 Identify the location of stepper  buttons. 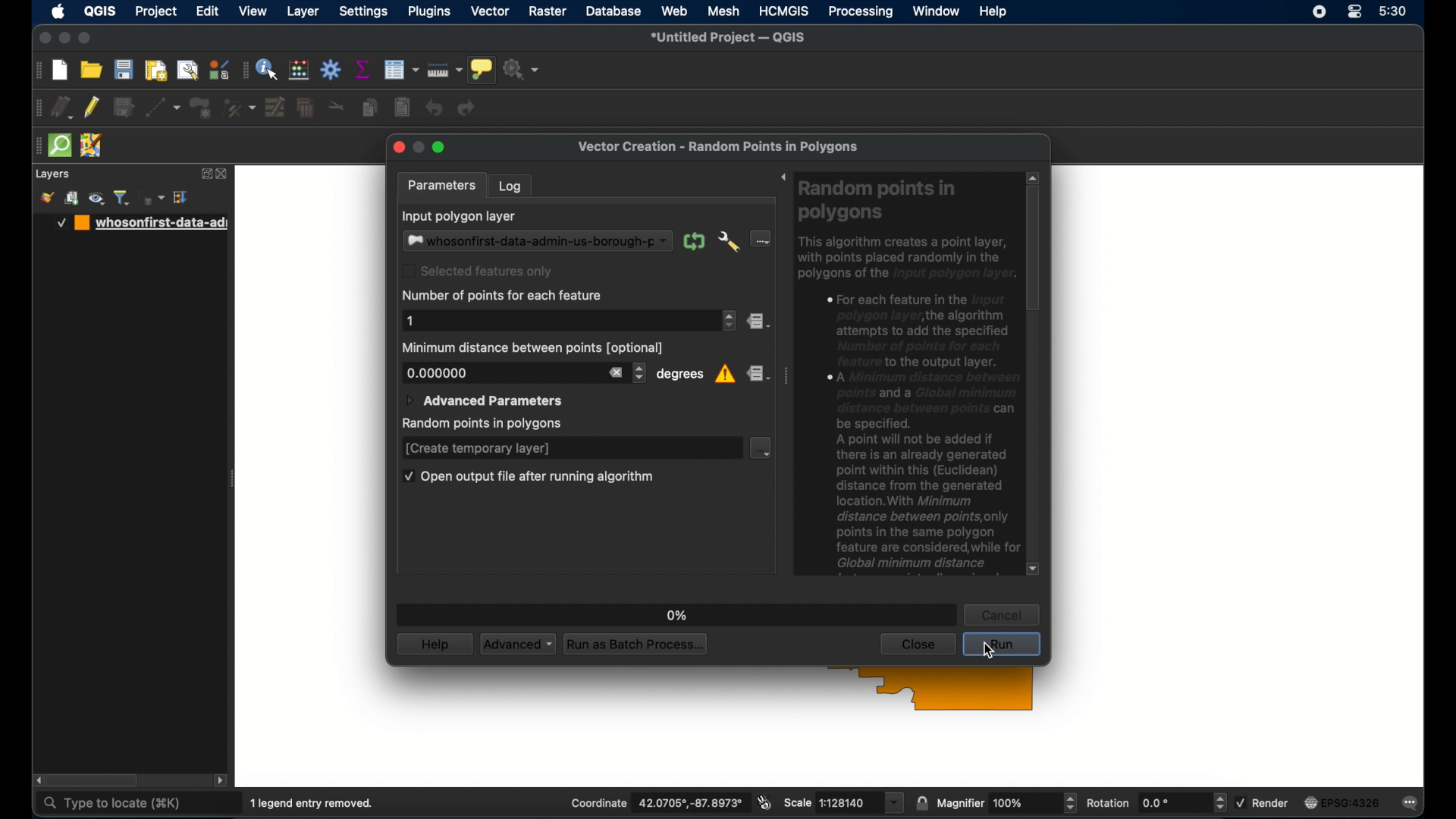
(639, 372).